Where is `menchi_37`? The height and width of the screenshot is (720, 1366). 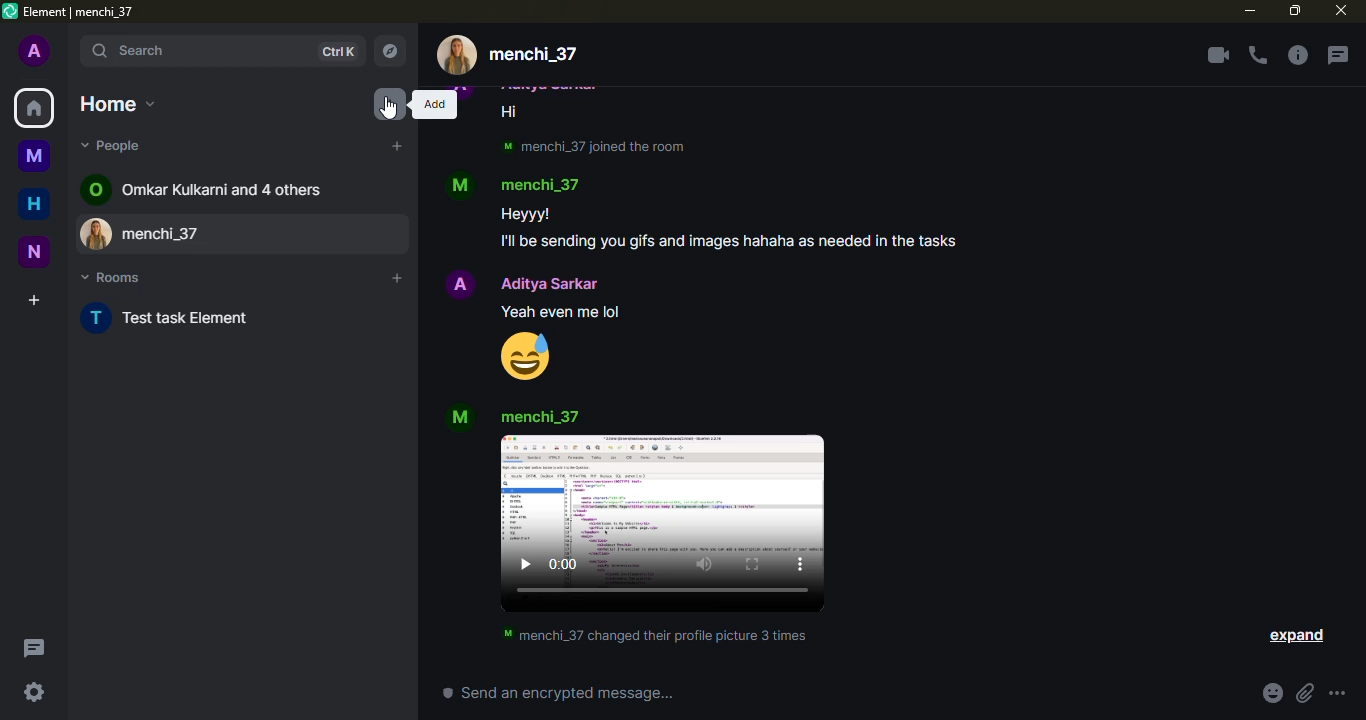
menchi_37 is located at coordinates (539, 417).